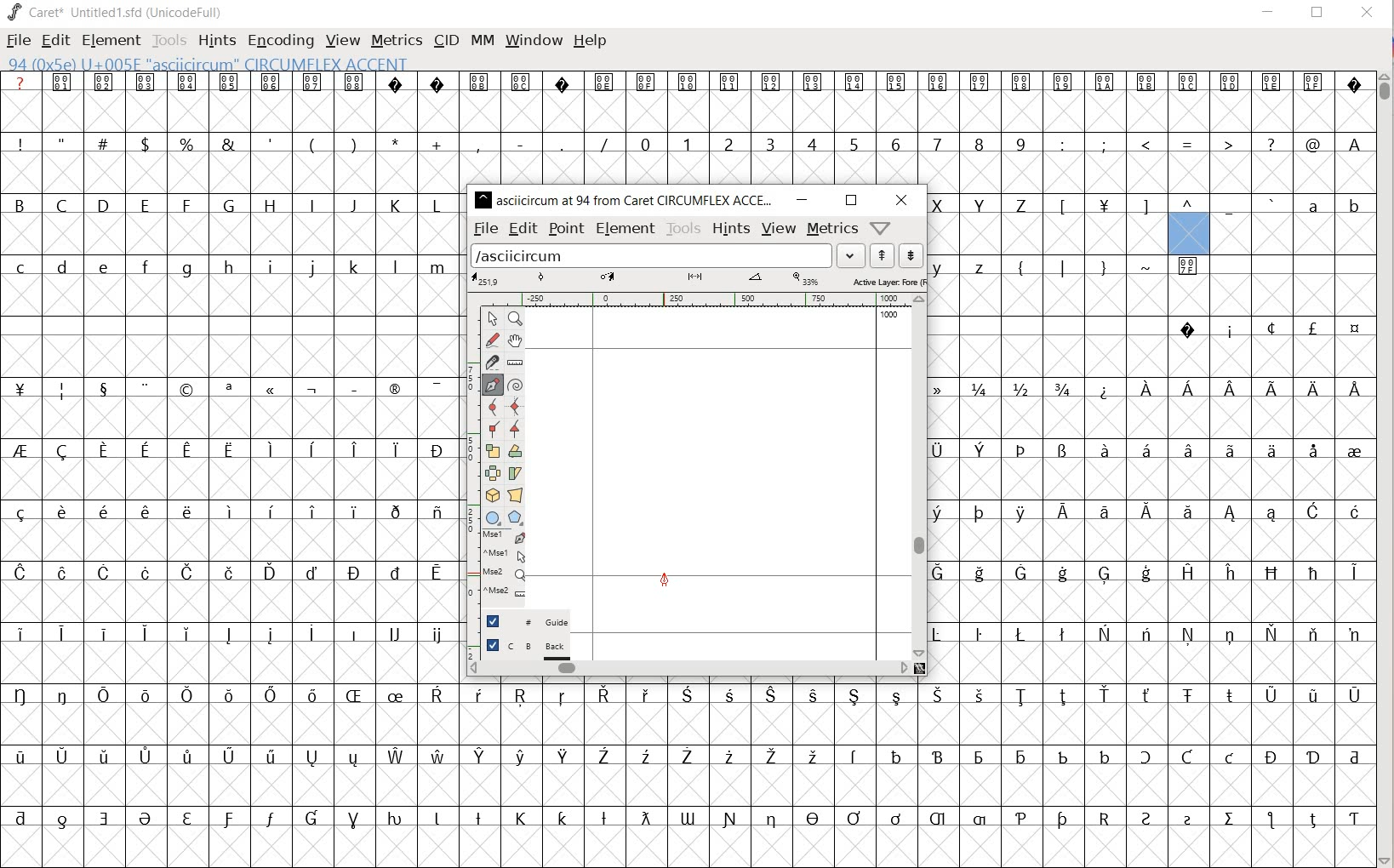 This screenshot has width=1394, height=868. Describe the element at coordinates (901, 200) in the screenshot. I see `close` at that location.